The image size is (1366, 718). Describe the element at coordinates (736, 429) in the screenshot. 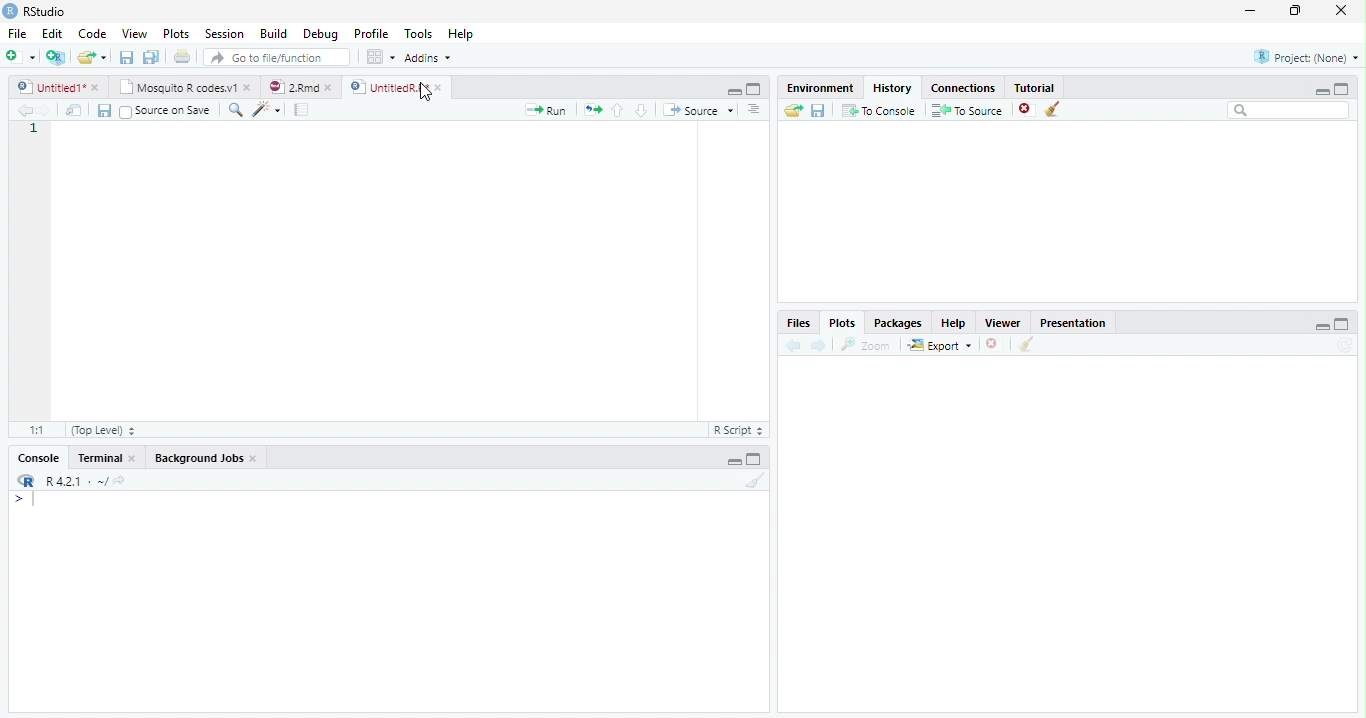

I see `R script` at that location.